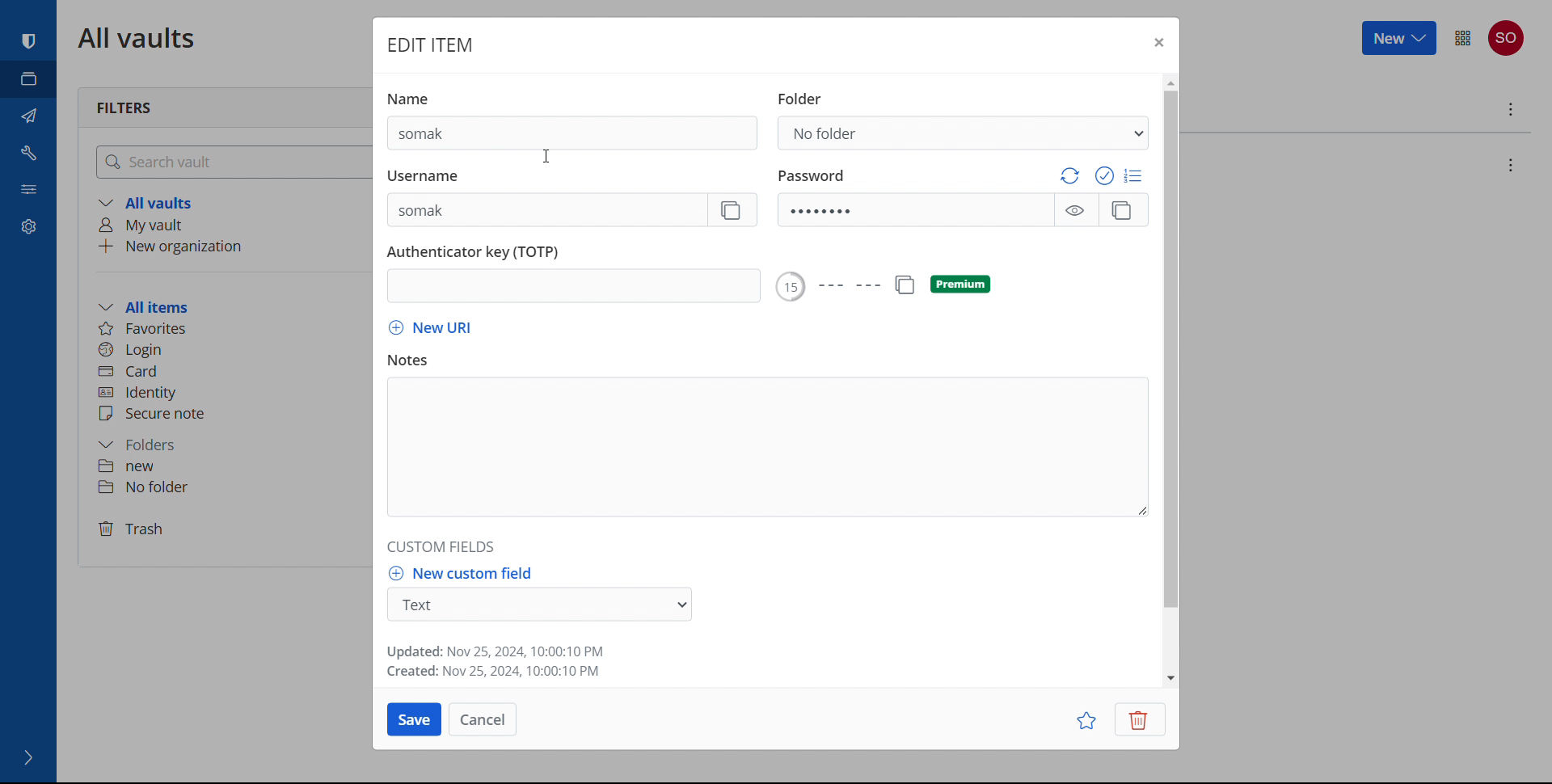  What do you see at coordinates (416, 360) in the screenshot?
I see `notes` at bounding box center [416, 360].